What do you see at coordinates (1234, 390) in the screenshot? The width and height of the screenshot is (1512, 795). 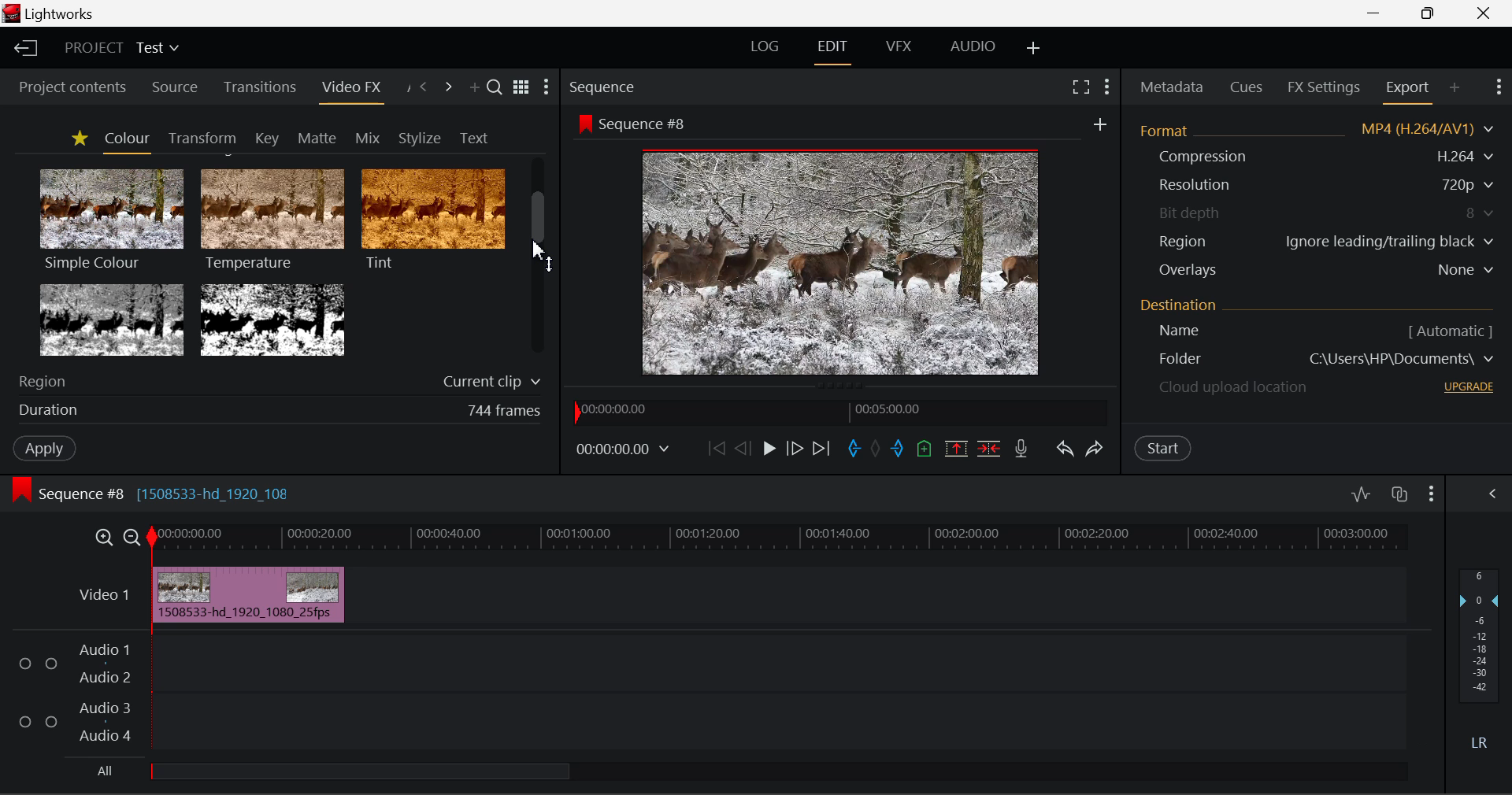 I see `Cloud upload location - upgrade` at bounding box center [1234, 390].